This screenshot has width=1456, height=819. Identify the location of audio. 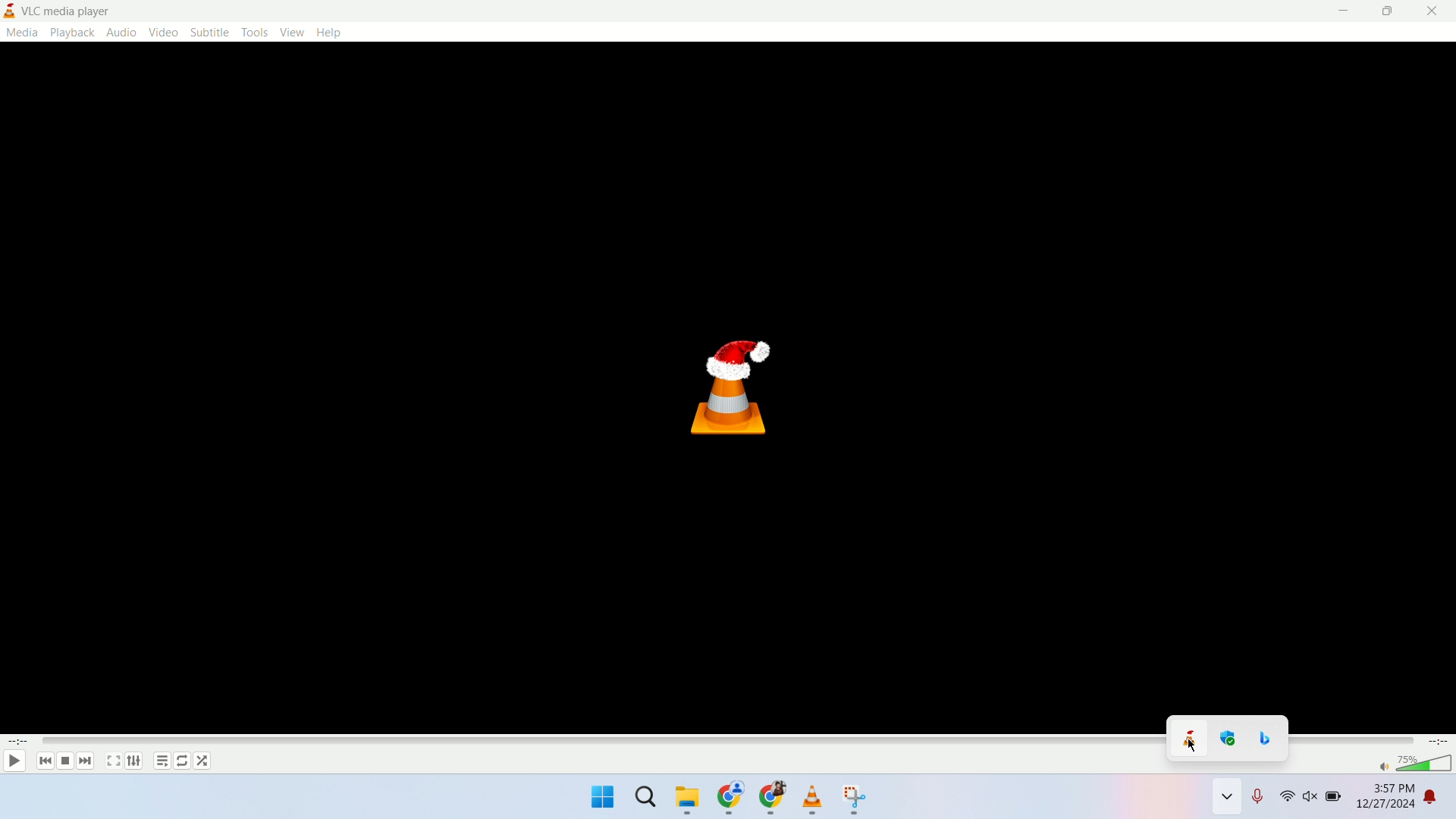
(121, 32).